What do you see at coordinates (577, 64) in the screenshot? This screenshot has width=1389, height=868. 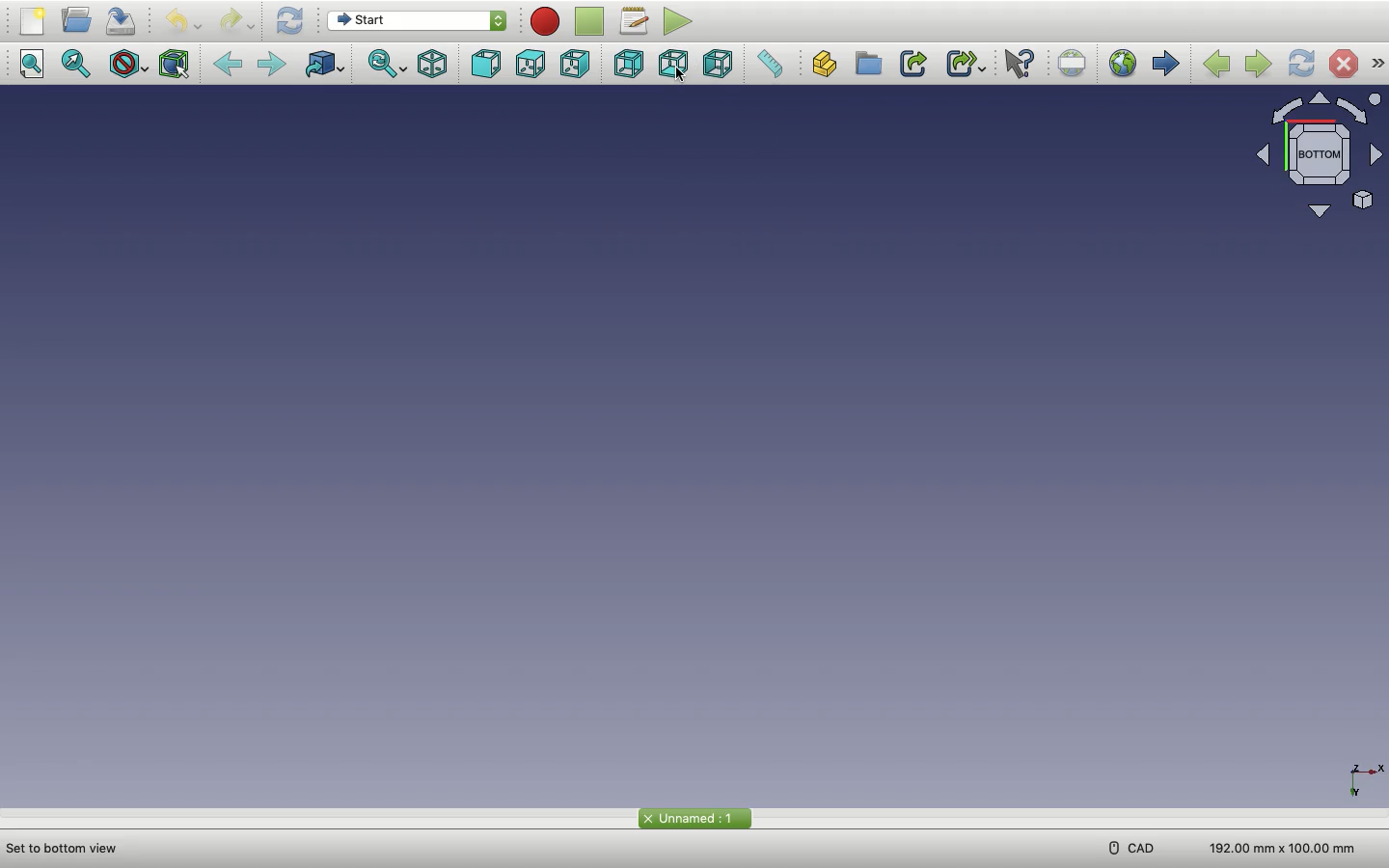 I see `Right` at bounding box center [577, 64].